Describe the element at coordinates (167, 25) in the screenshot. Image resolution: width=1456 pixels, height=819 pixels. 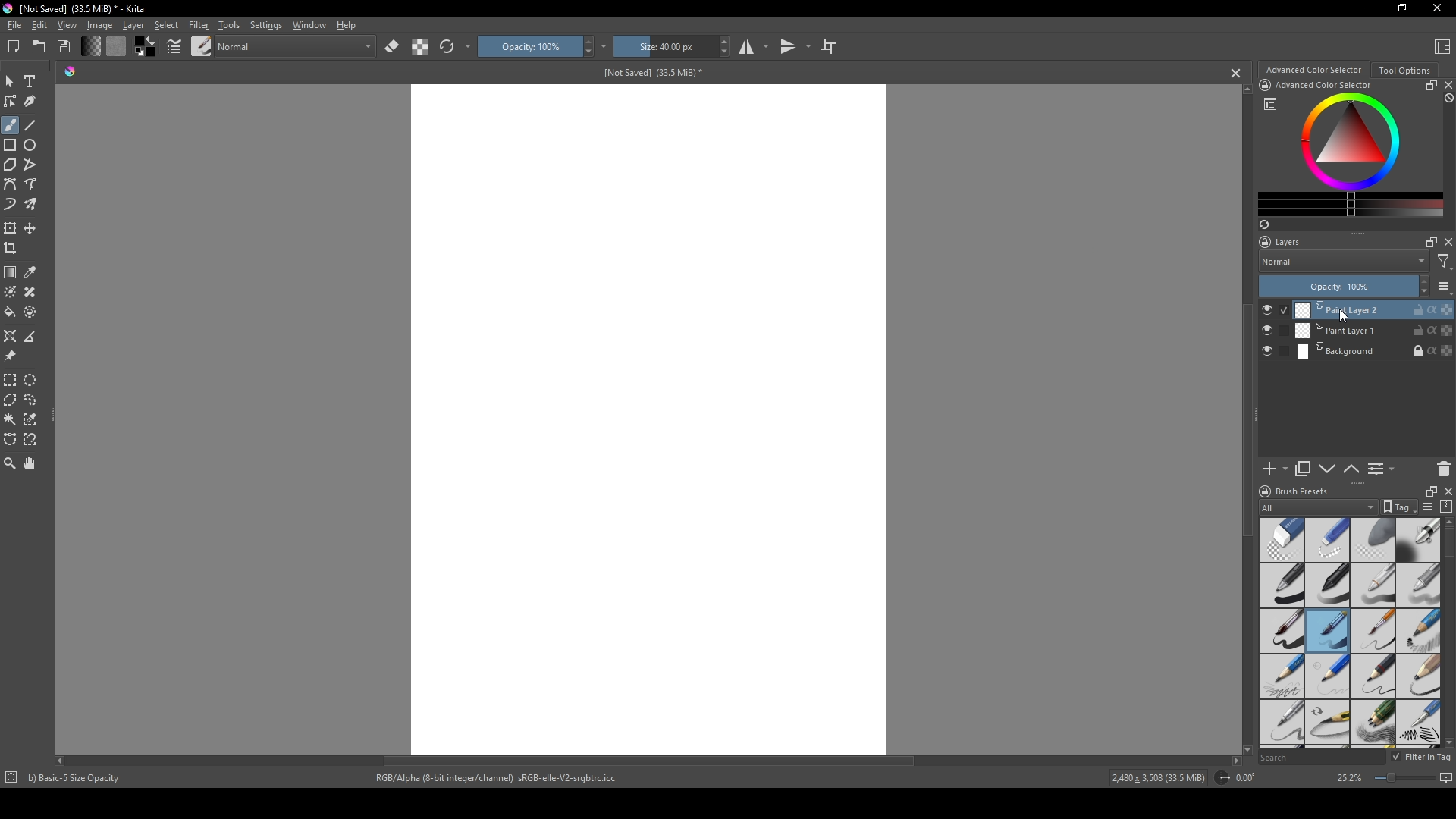
I see `Select` at that location.